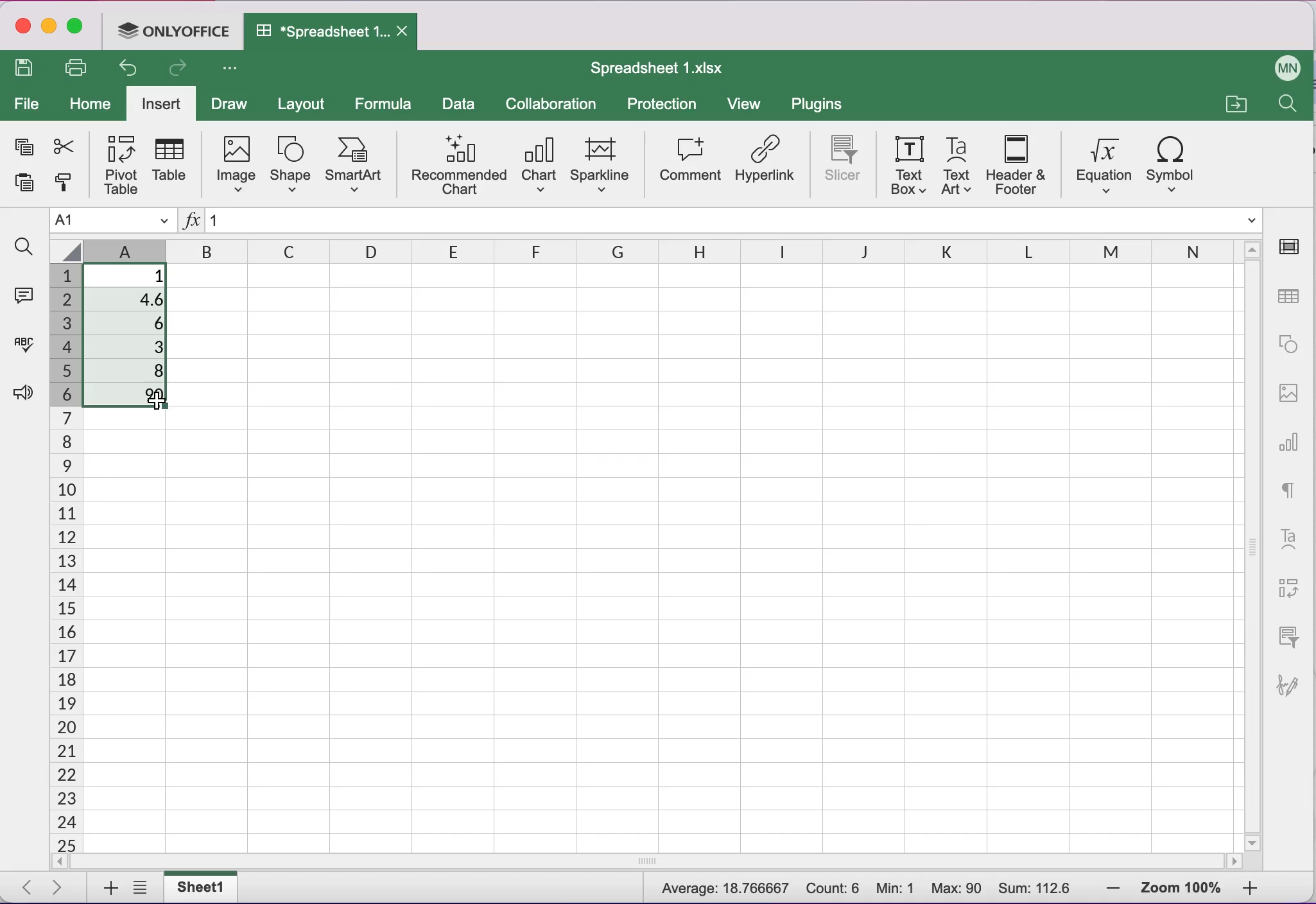  I want to click on save, so click(23, 69).